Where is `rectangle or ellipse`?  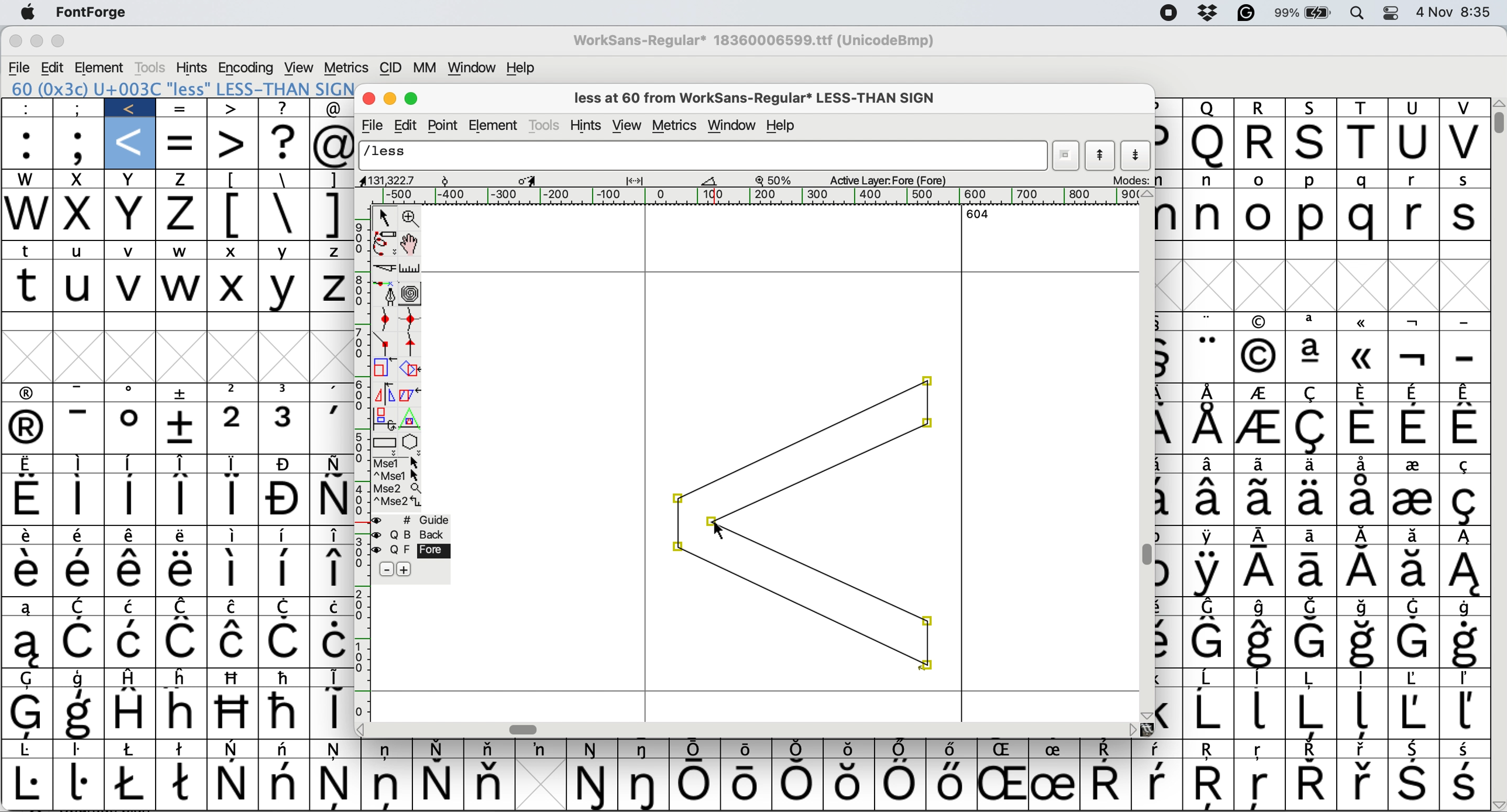
rectangle or ellipse is located at coordinates (385, 441).